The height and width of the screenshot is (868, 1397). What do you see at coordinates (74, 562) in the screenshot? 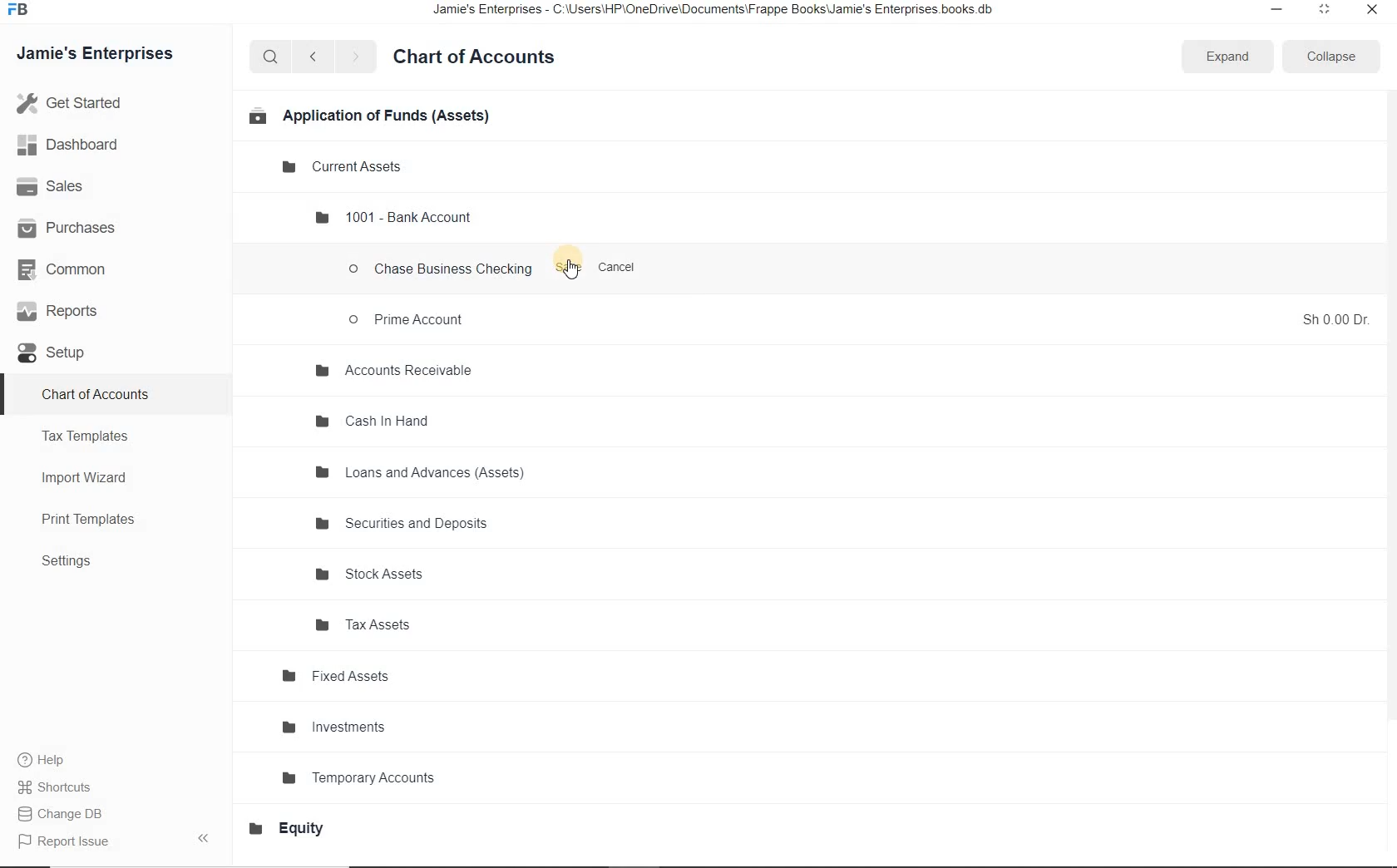
I see `Settings` at bounding box center [74, 562].